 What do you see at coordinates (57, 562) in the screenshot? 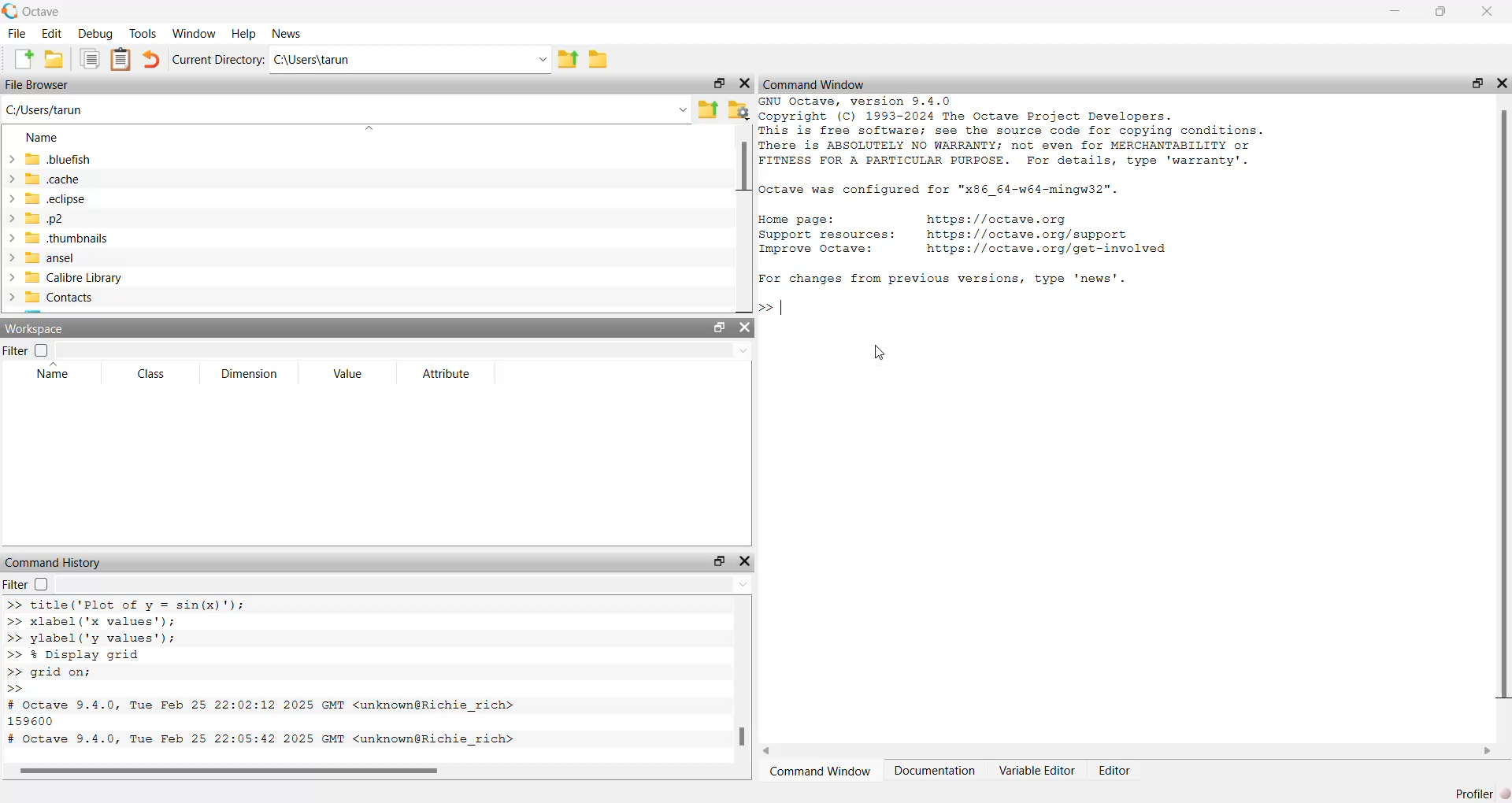
I see `Command History` at bounding box center [57, 562].